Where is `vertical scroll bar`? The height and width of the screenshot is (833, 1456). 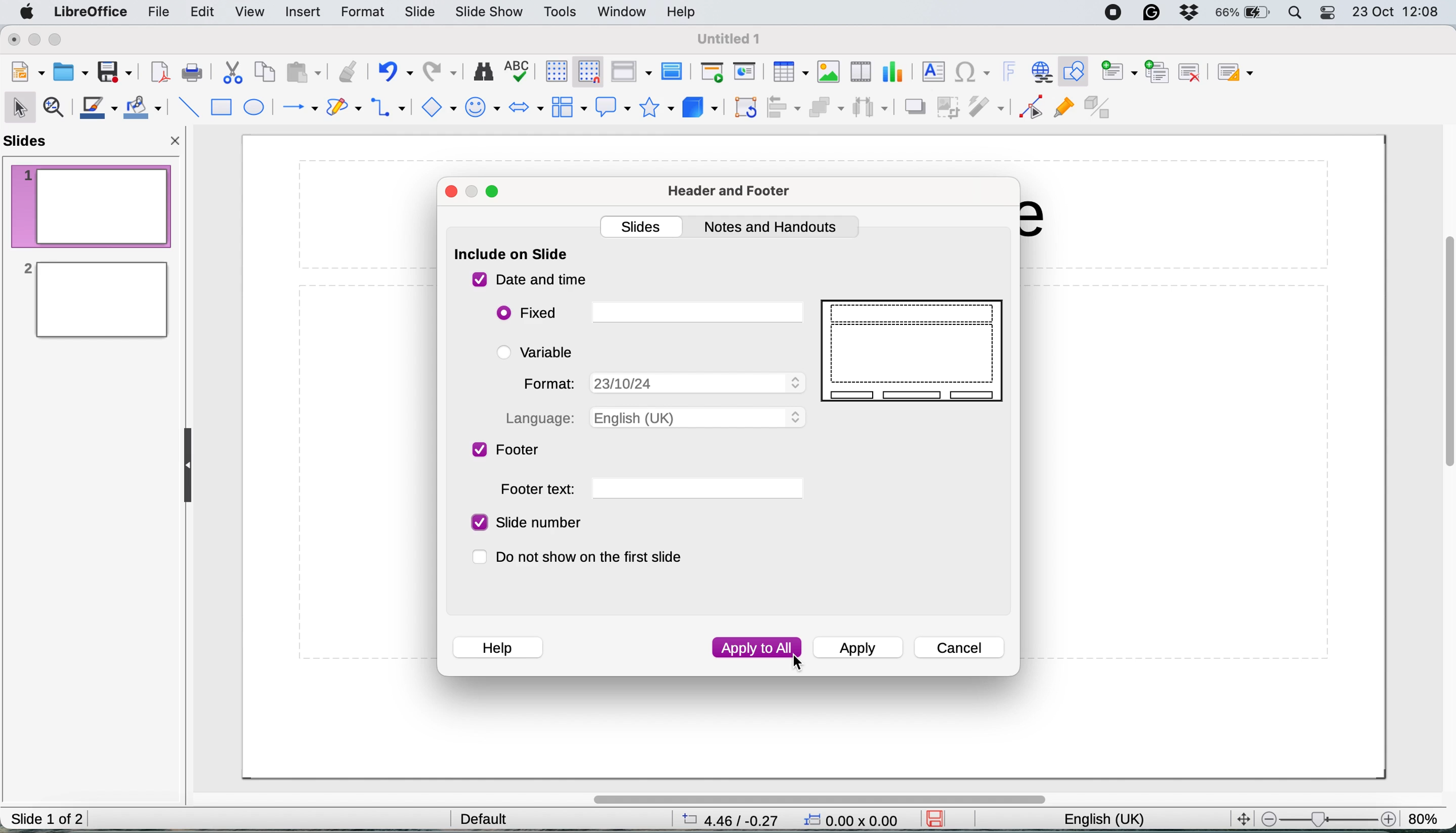
vertical scroll bar is located at coordinates (1442, 363).